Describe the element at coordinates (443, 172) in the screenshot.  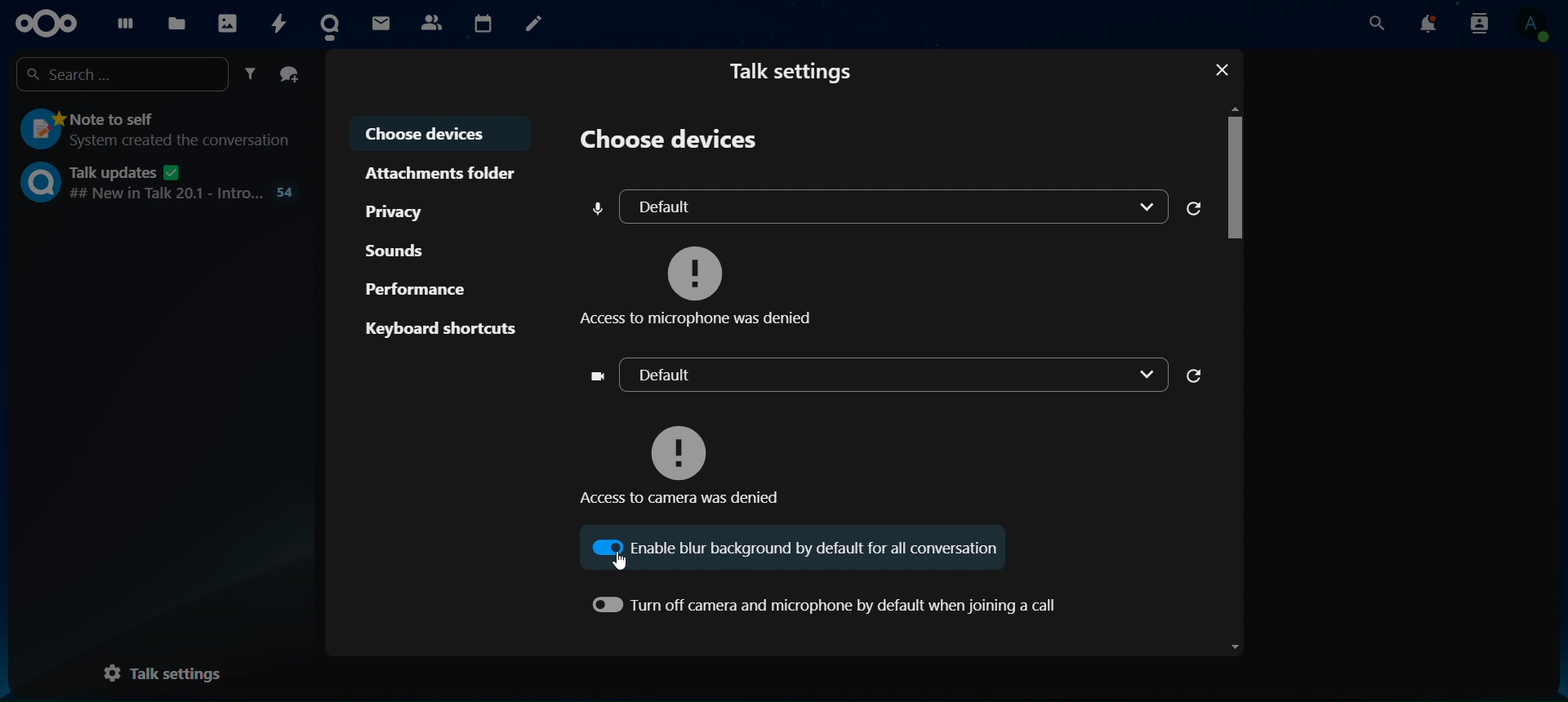
I see `attachments` at that location.